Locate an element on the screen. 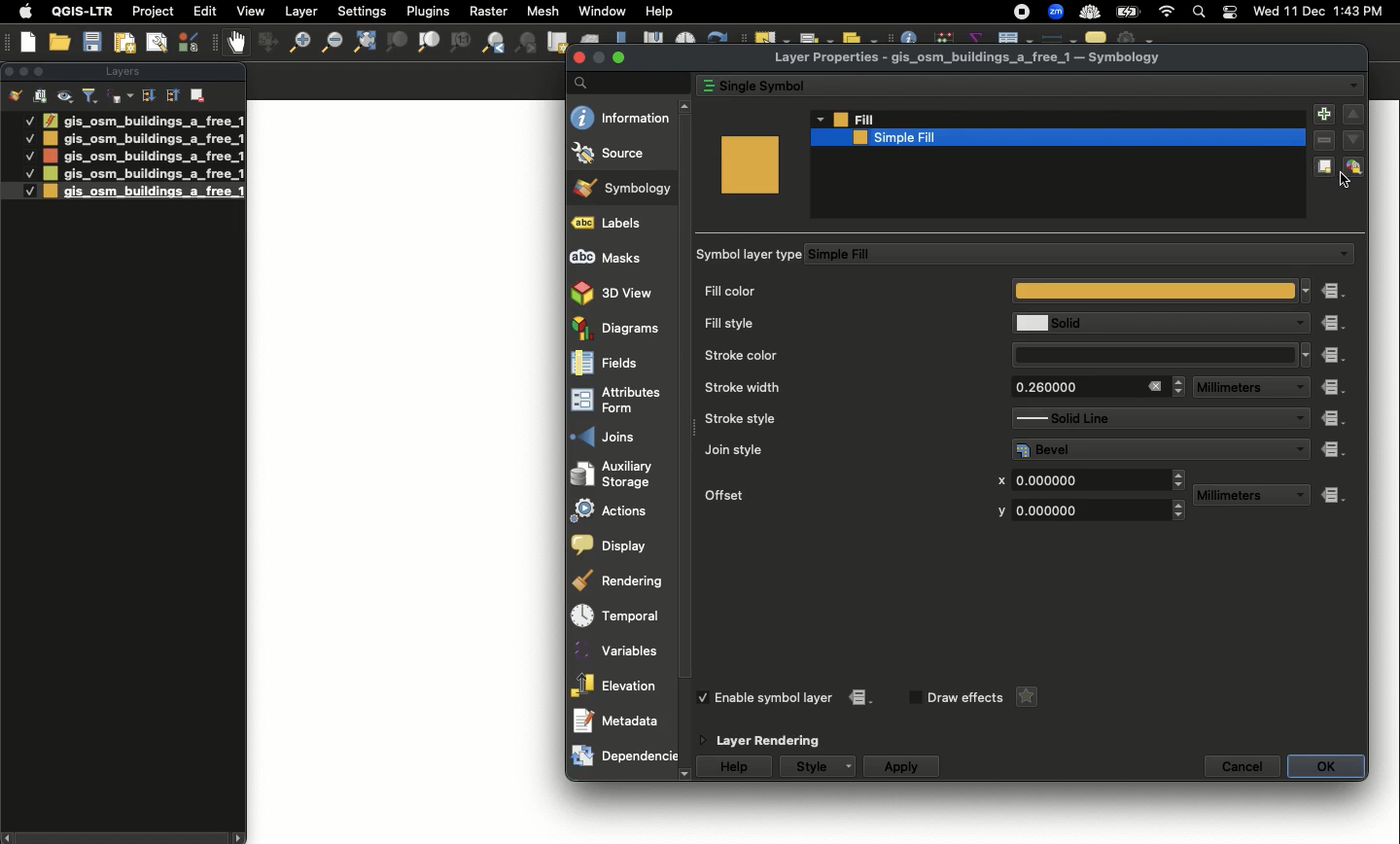 Image resolution: width=1400 pixels, height=844 pixels. Actions is located at coordinates (617, 510).